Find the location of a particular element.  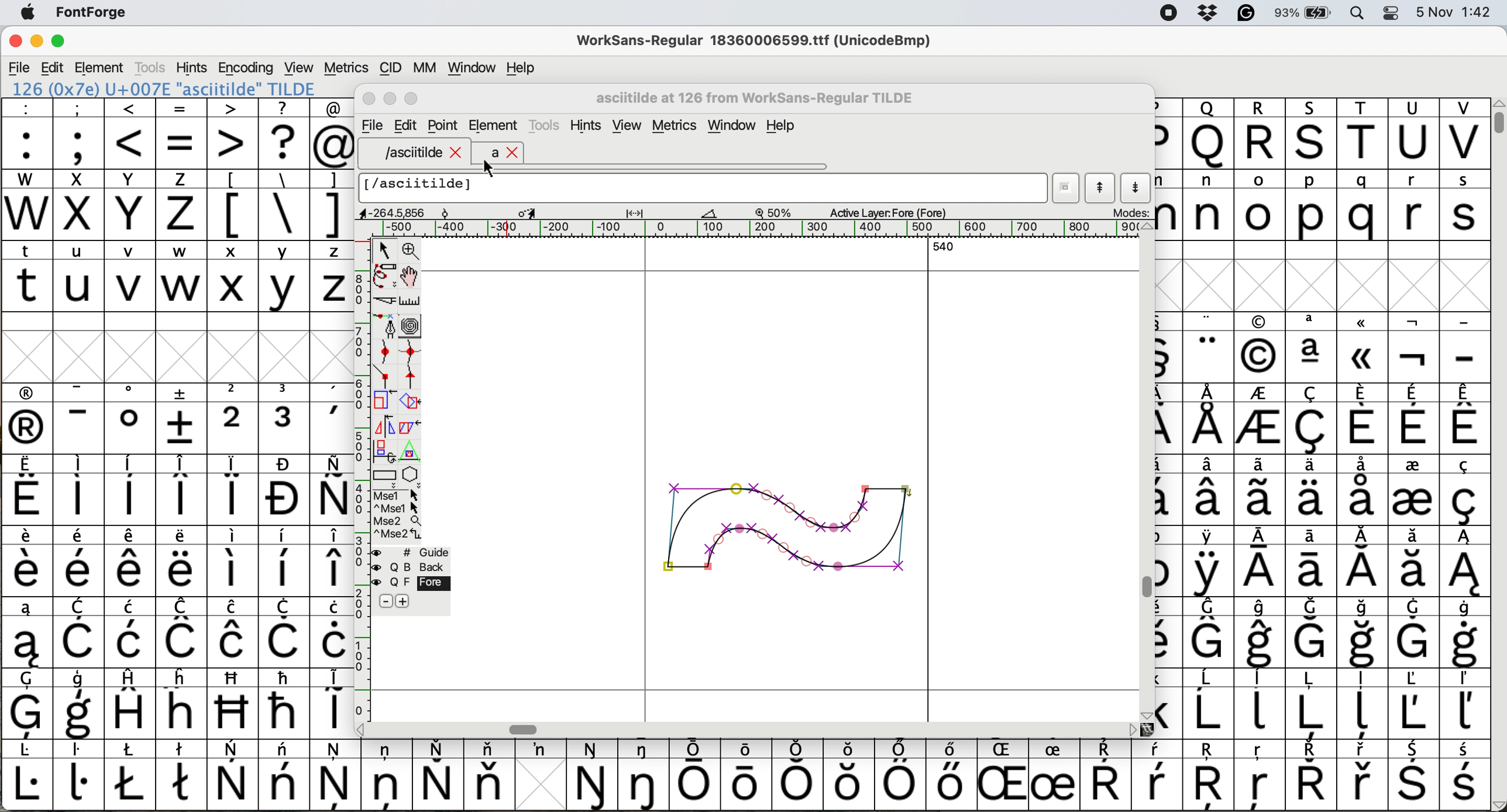

rotate the selection is located at coordinates (416, 402).